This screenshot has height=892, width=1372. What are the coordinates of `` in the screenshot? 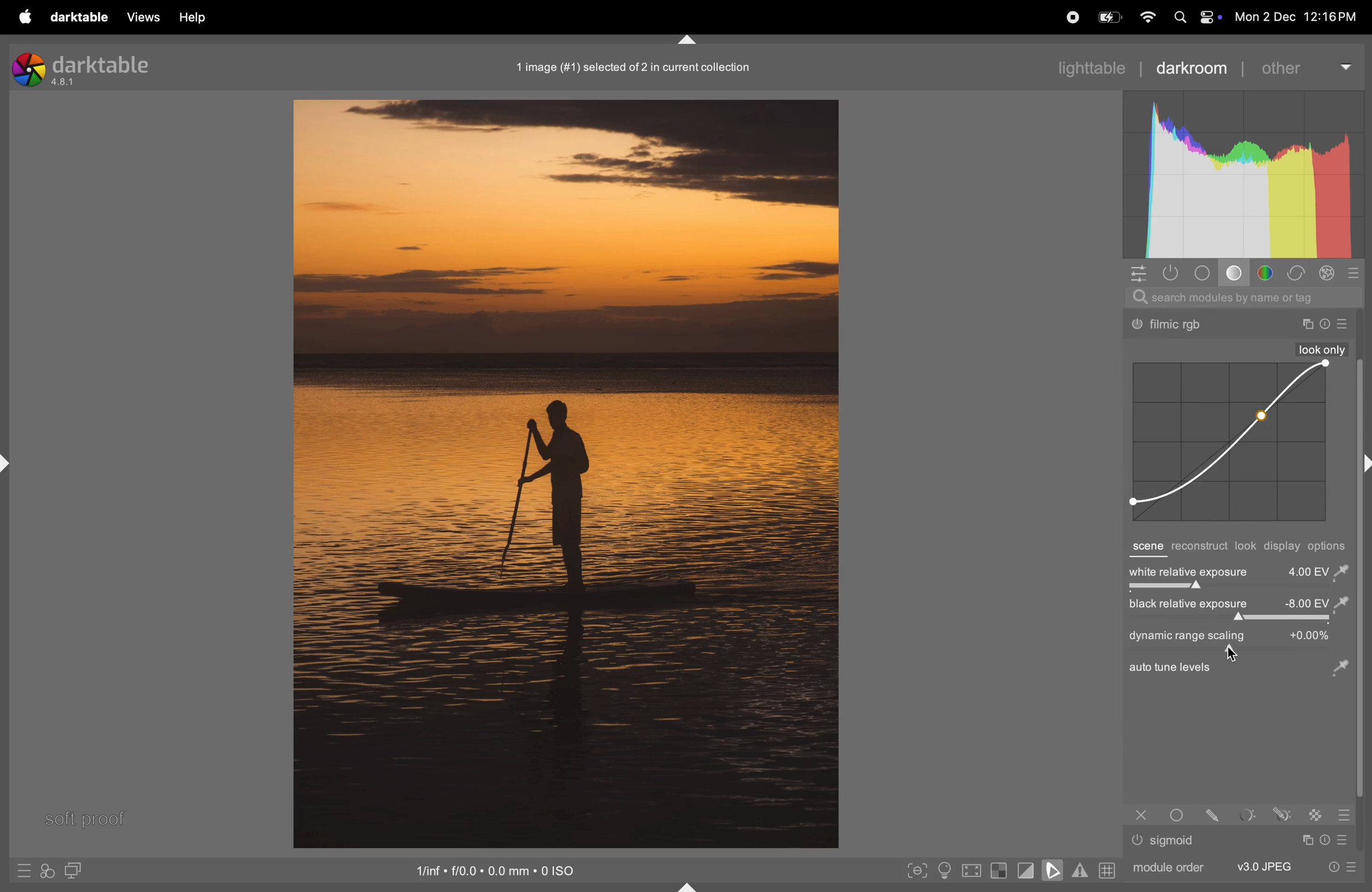 It's located at (1344, 815).